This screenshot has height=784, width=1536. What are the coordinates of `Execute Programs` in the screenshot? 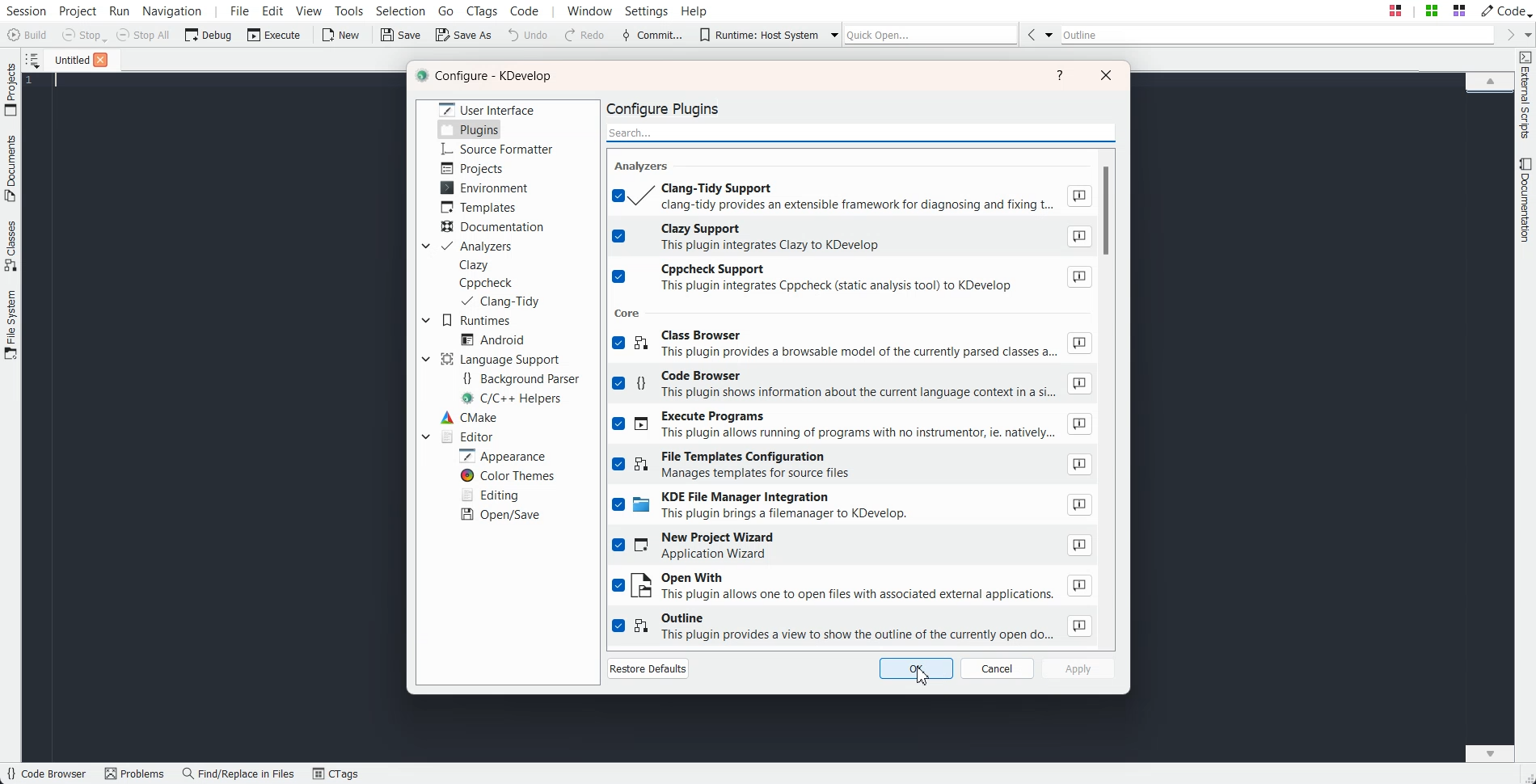 It's located at (853, 426).